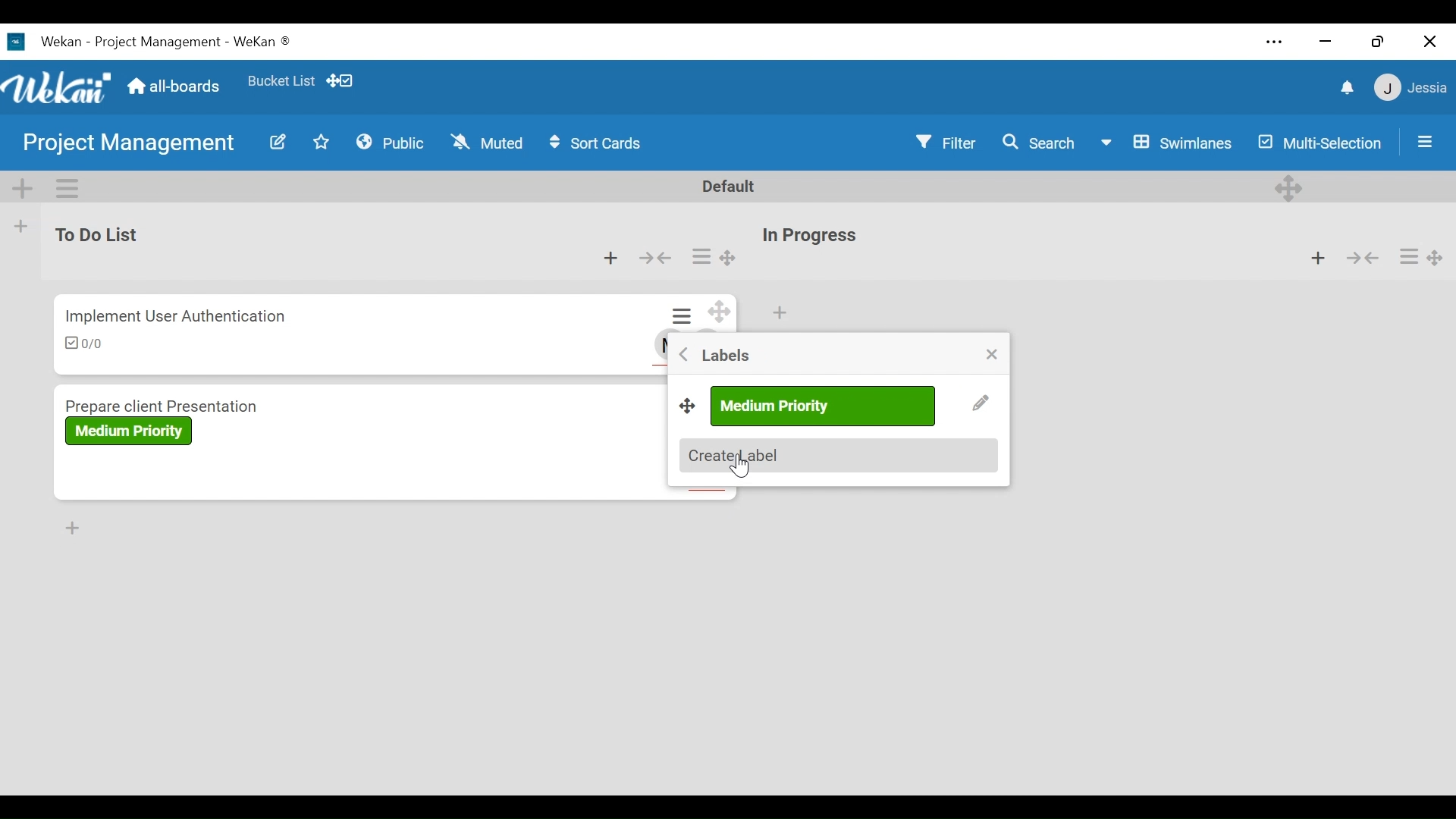 The width and height of the screenshot is (1456, 819). Describe the element at coordinates (322, 141) in the screenshot. I see `Favorites` at that location.